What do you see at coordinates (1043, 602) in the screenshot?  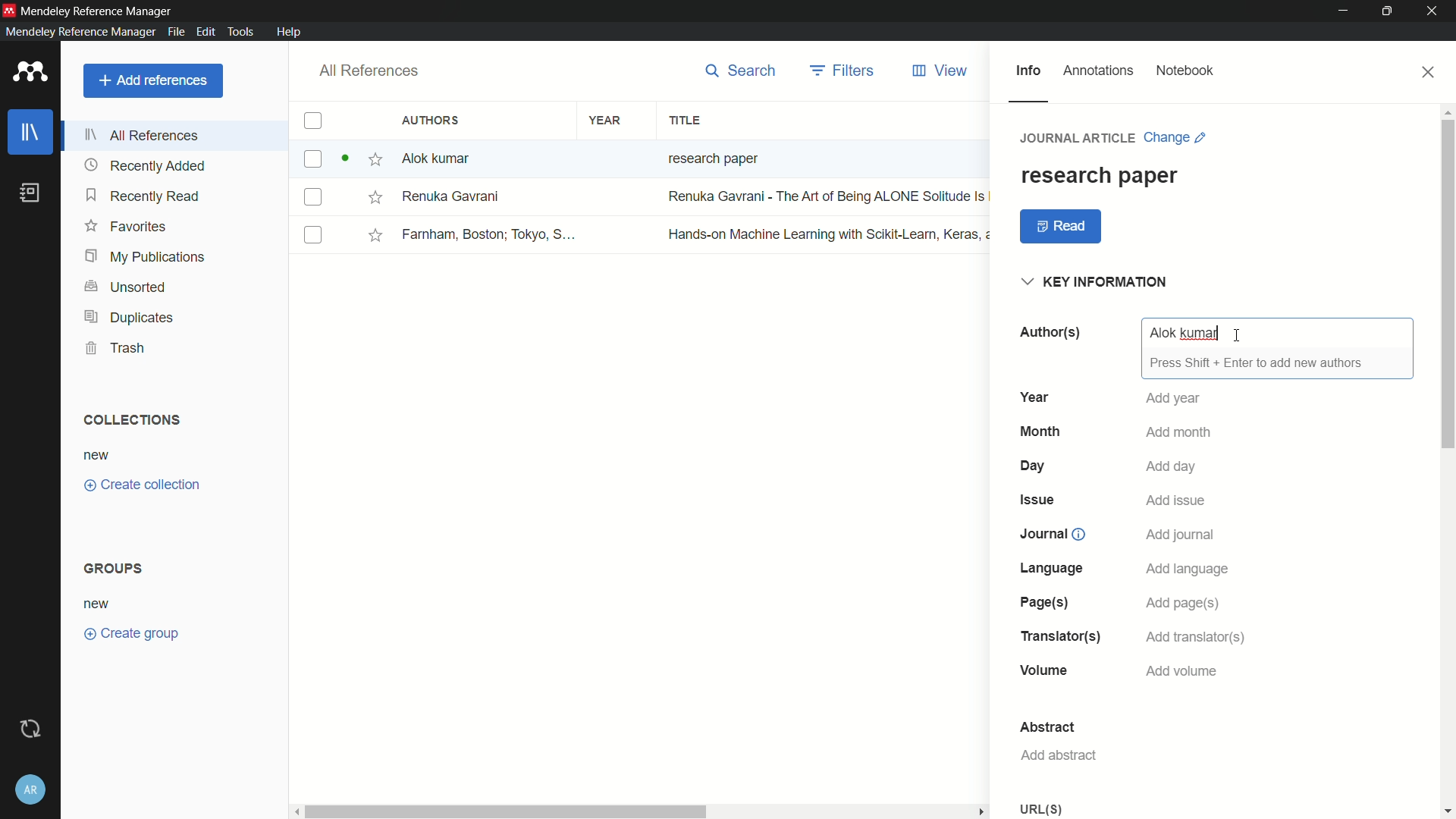 I see `page` at bounding box center [1043, 602].